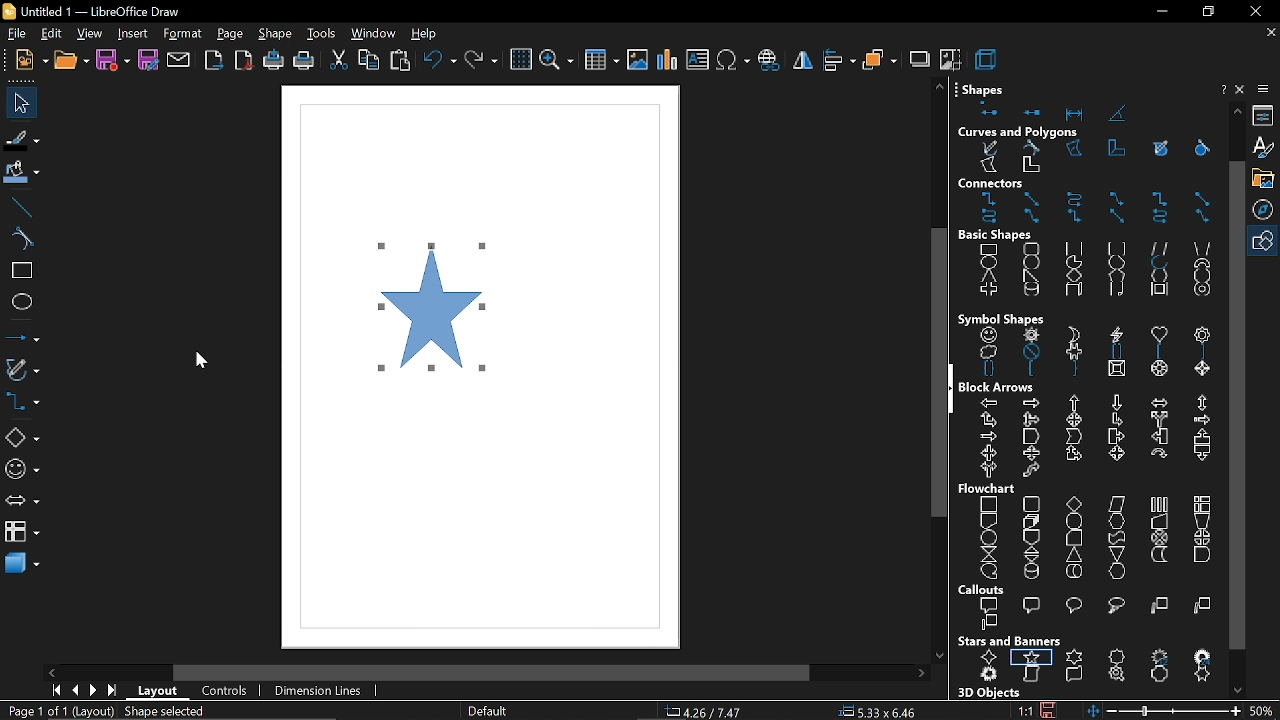 The width and height of the screenshot is (1280, 720). What do you see at coordinates (940, 88) in the screenshot?
I see `move up` at bounding box center [940, 88].